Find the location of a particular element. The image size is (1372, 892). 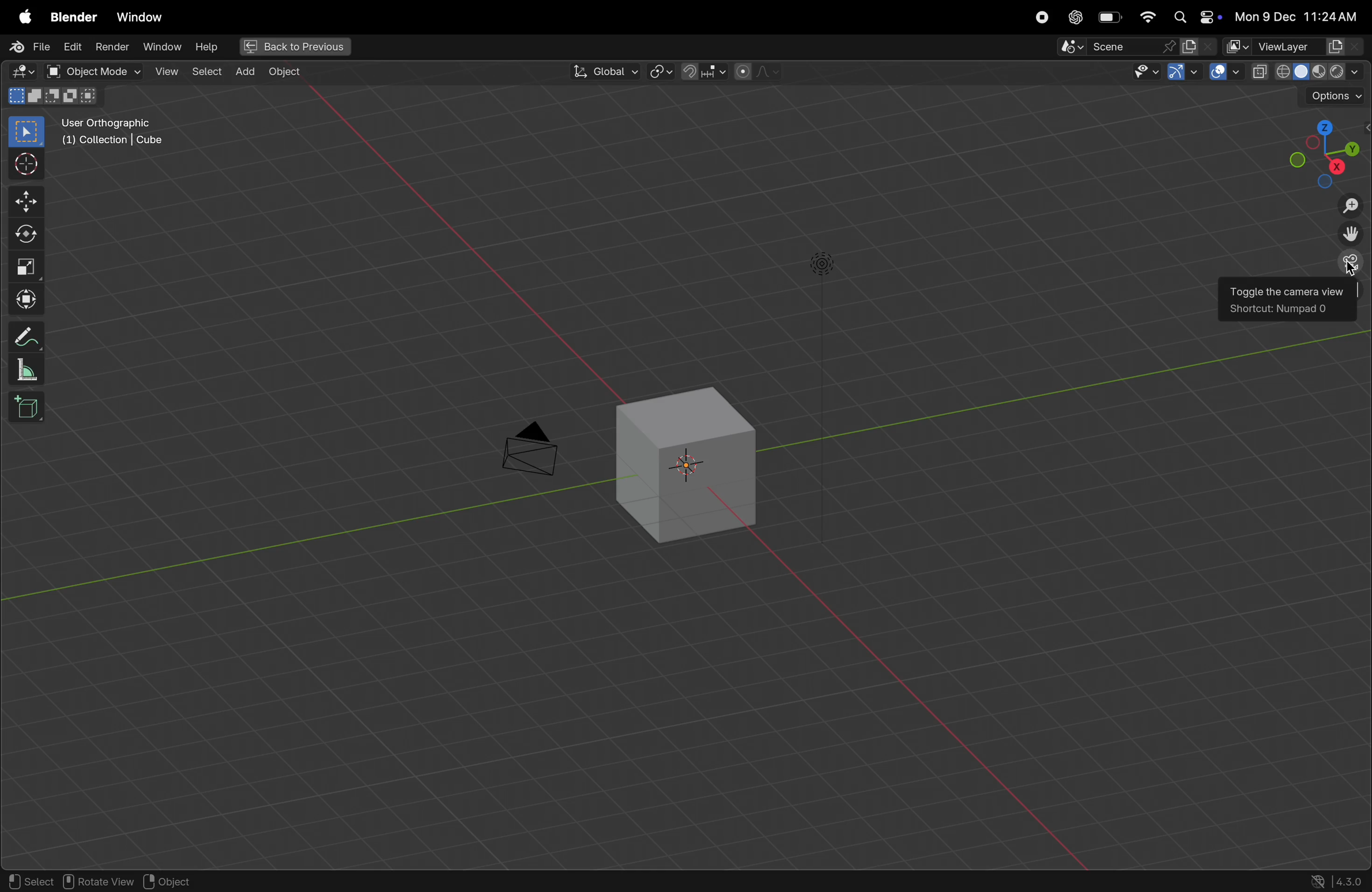

Back previous is located at coordinates (295, 46).